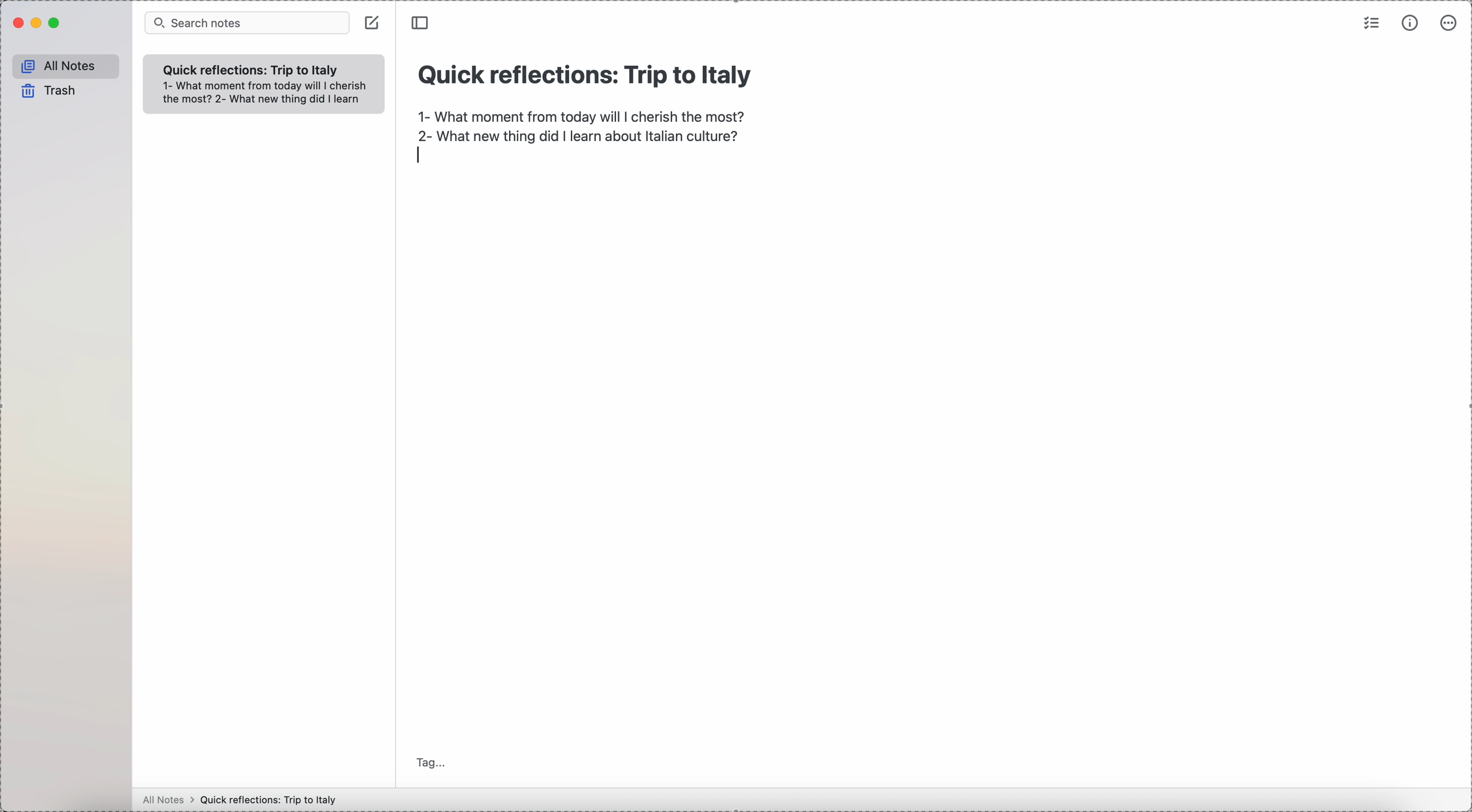 The width and height of the screenshot is (1472, 812). I want to click on all notes, so click(61, 64).